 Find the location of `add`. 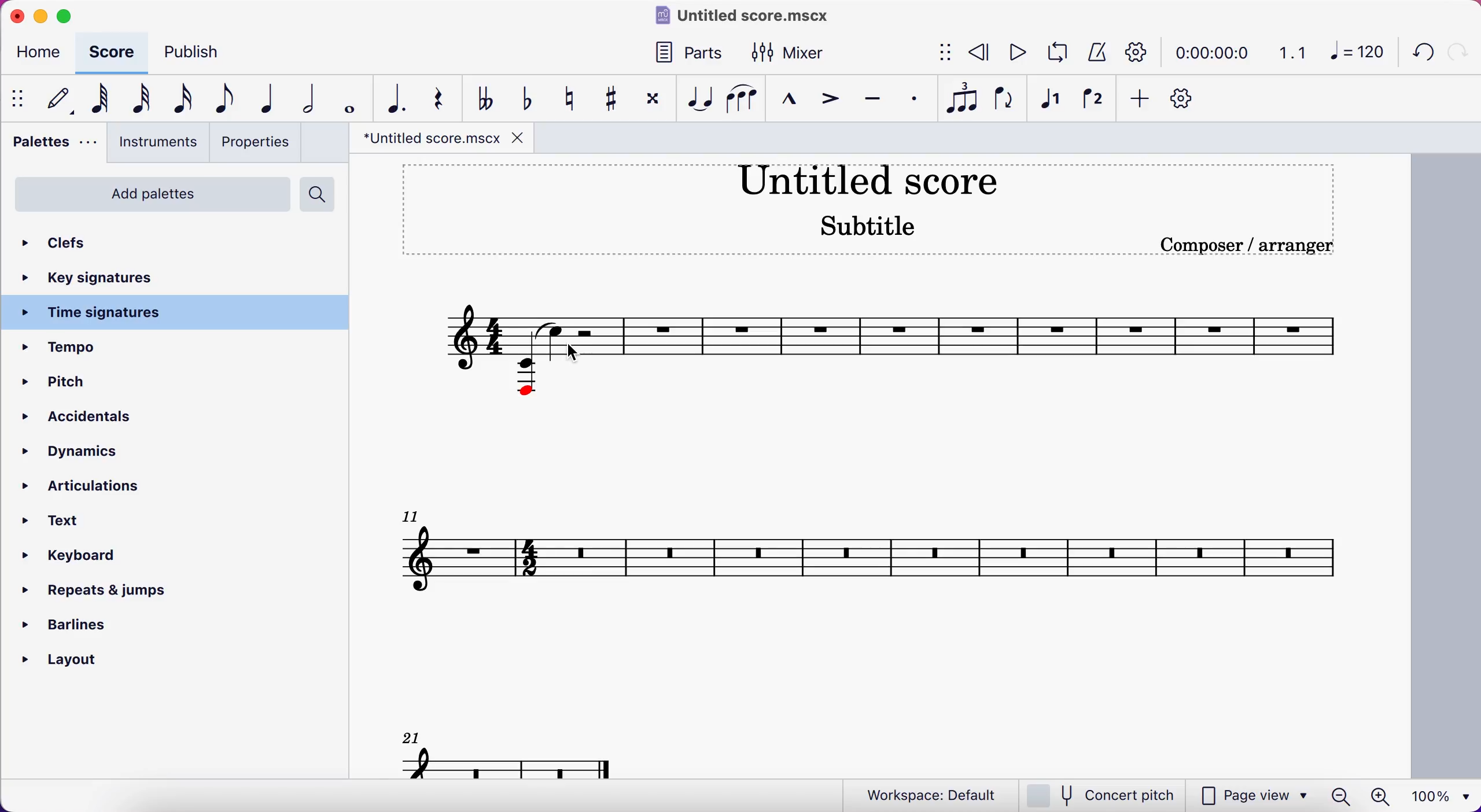

add is located at coordinates (1140, 103).